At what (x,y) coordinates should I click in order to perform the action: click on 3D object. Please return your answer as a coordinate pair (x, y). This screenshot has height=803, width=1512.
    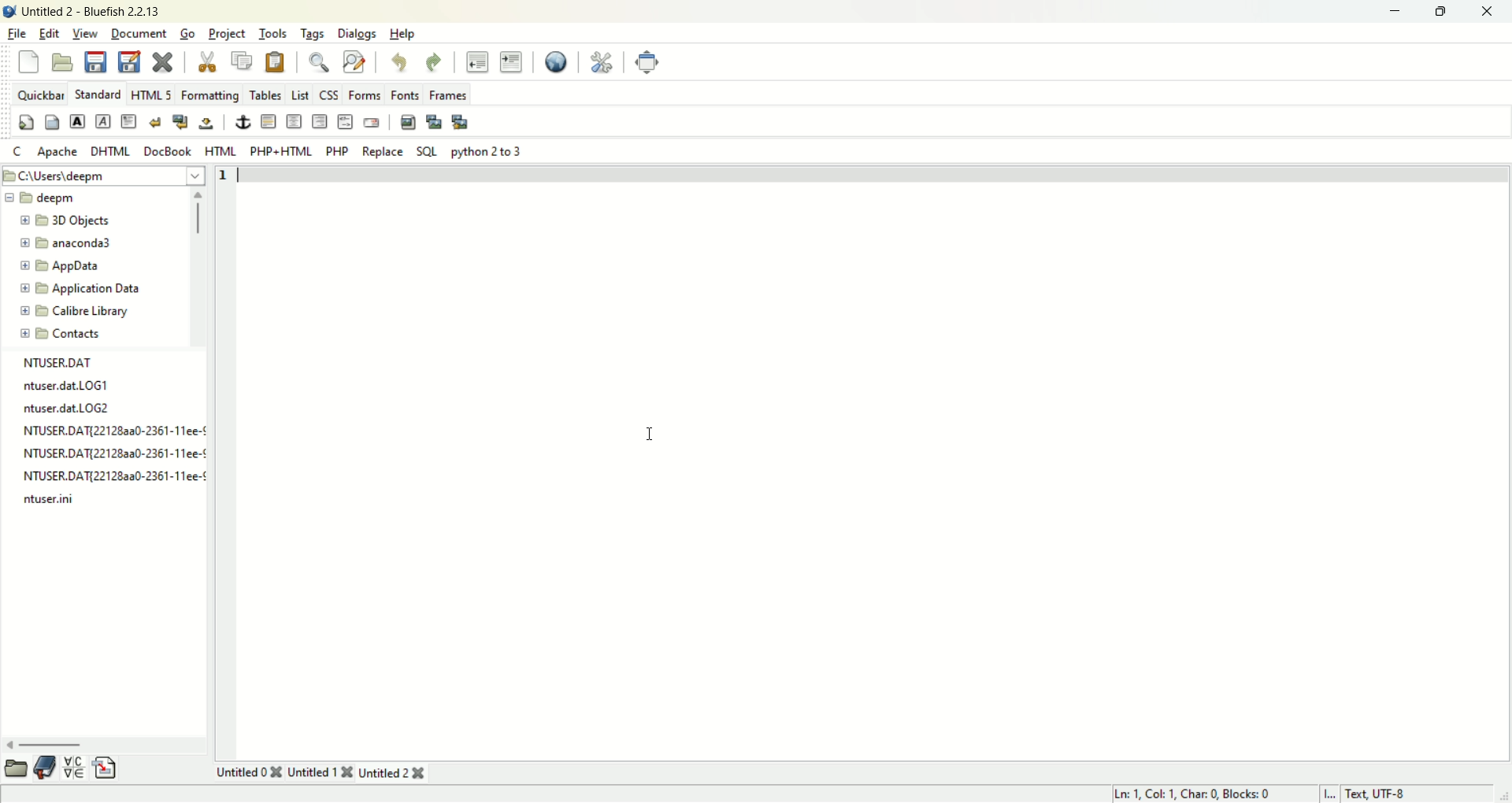
    Looking at the image, I should click on (66, 220).